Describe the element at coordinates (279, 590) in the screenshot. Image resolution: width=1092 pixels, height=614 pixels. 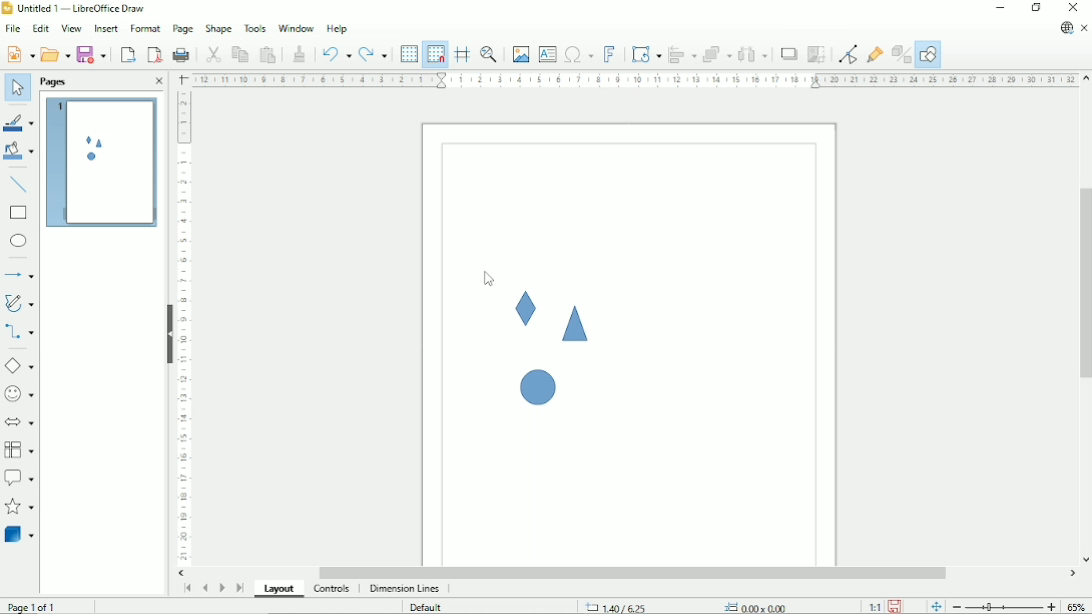
I see `Layout` at that location.